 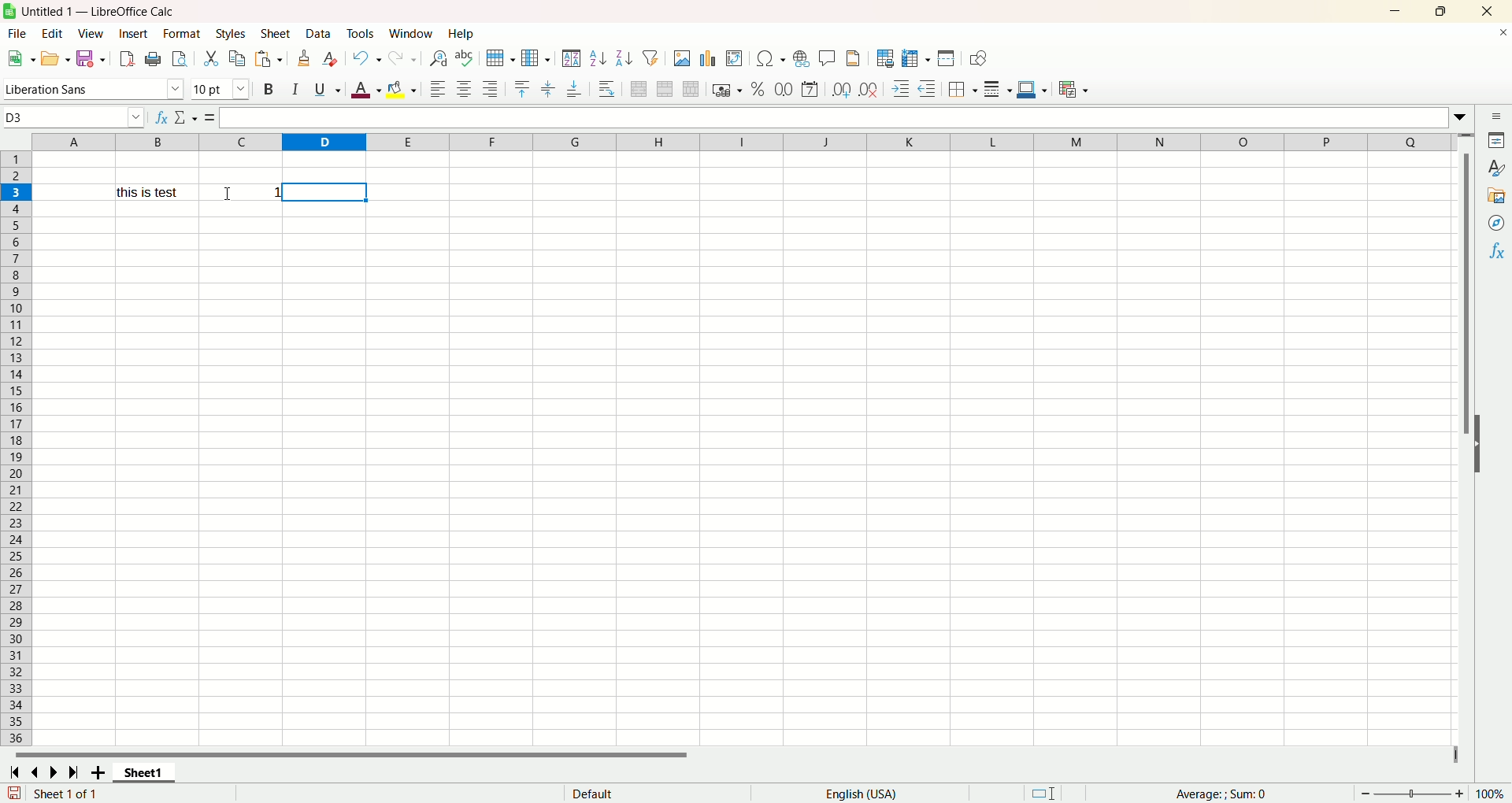 What do you see at coordinates (682, 57) in the screenshot?
I see `insert image` at bounding box center [682, 57].